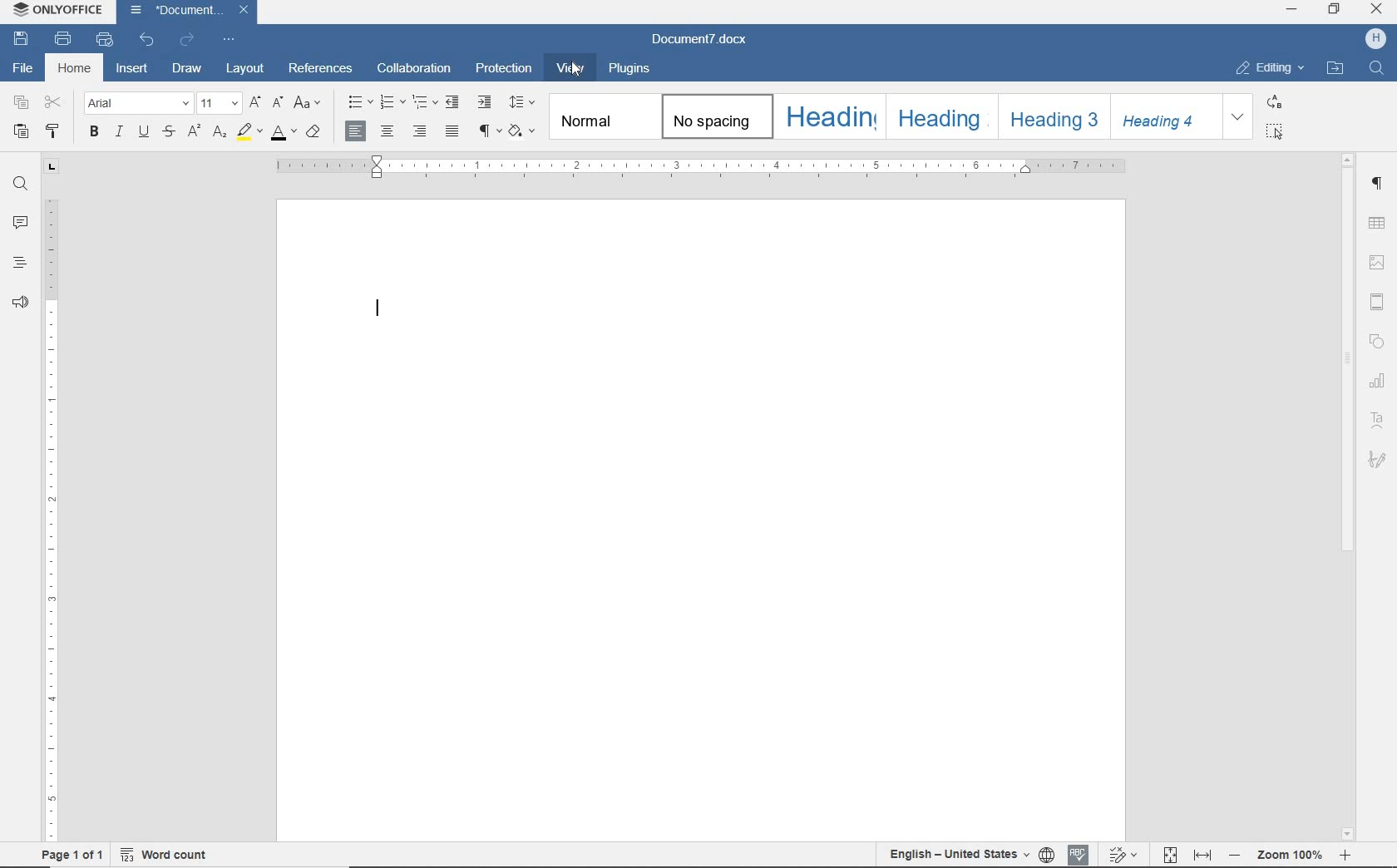  Describe the element at coordinates (940, 115) in the screenshot. I see `HEADING 2` at that location.